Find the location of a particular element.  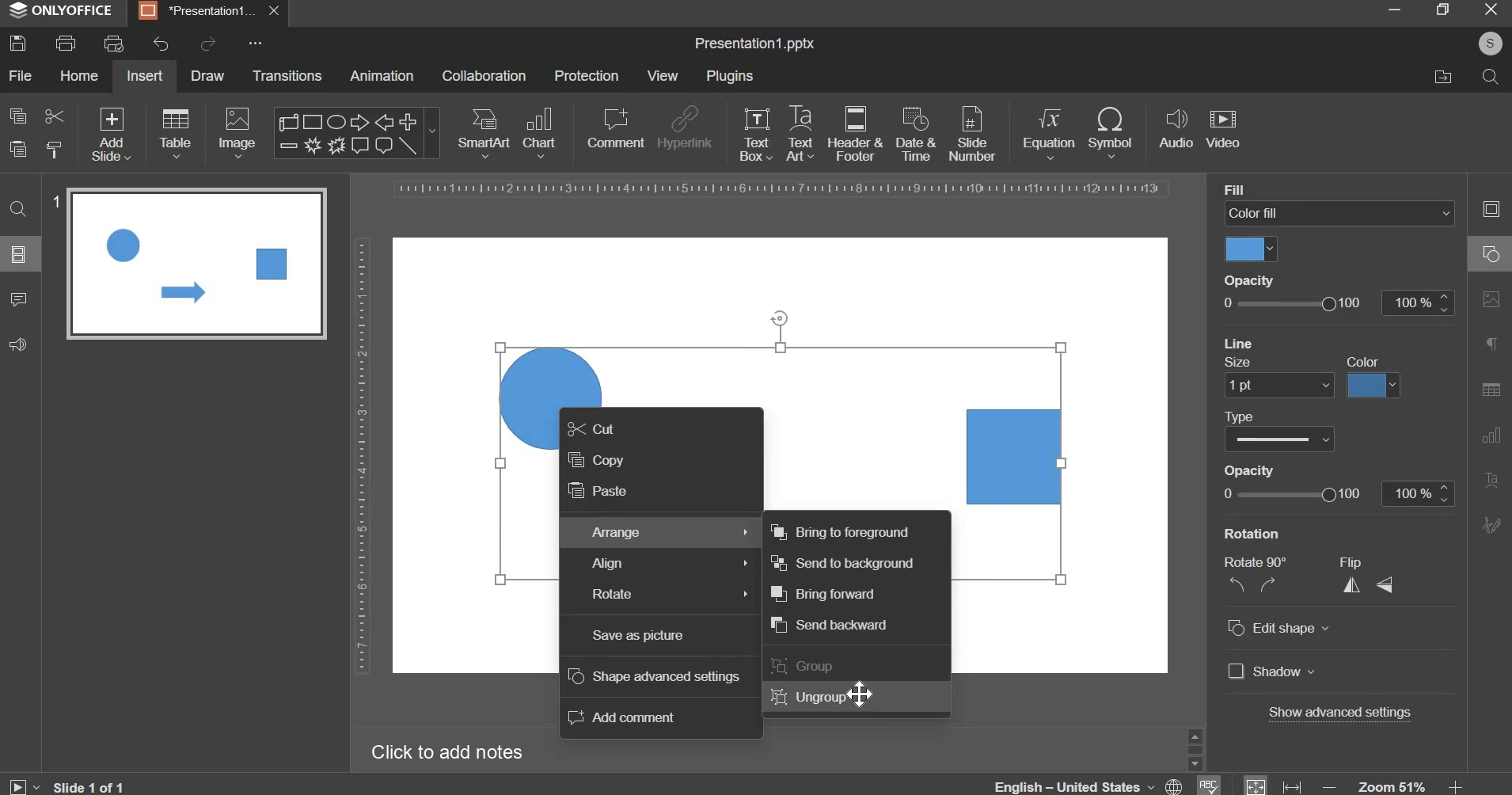

redo is located at coordinates (206, 44).